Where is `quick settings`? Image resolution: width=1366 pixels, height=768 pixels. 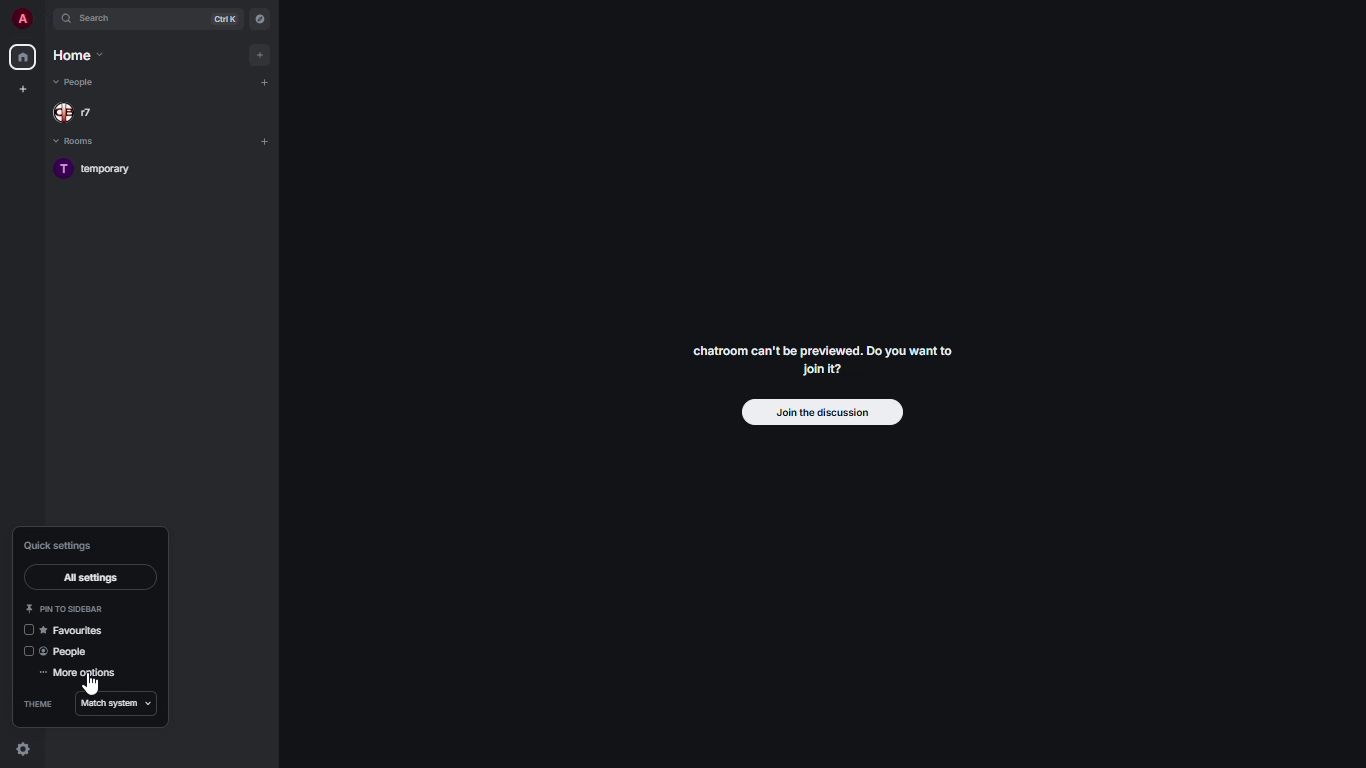 quick settings is located at coordinates (26, 749).